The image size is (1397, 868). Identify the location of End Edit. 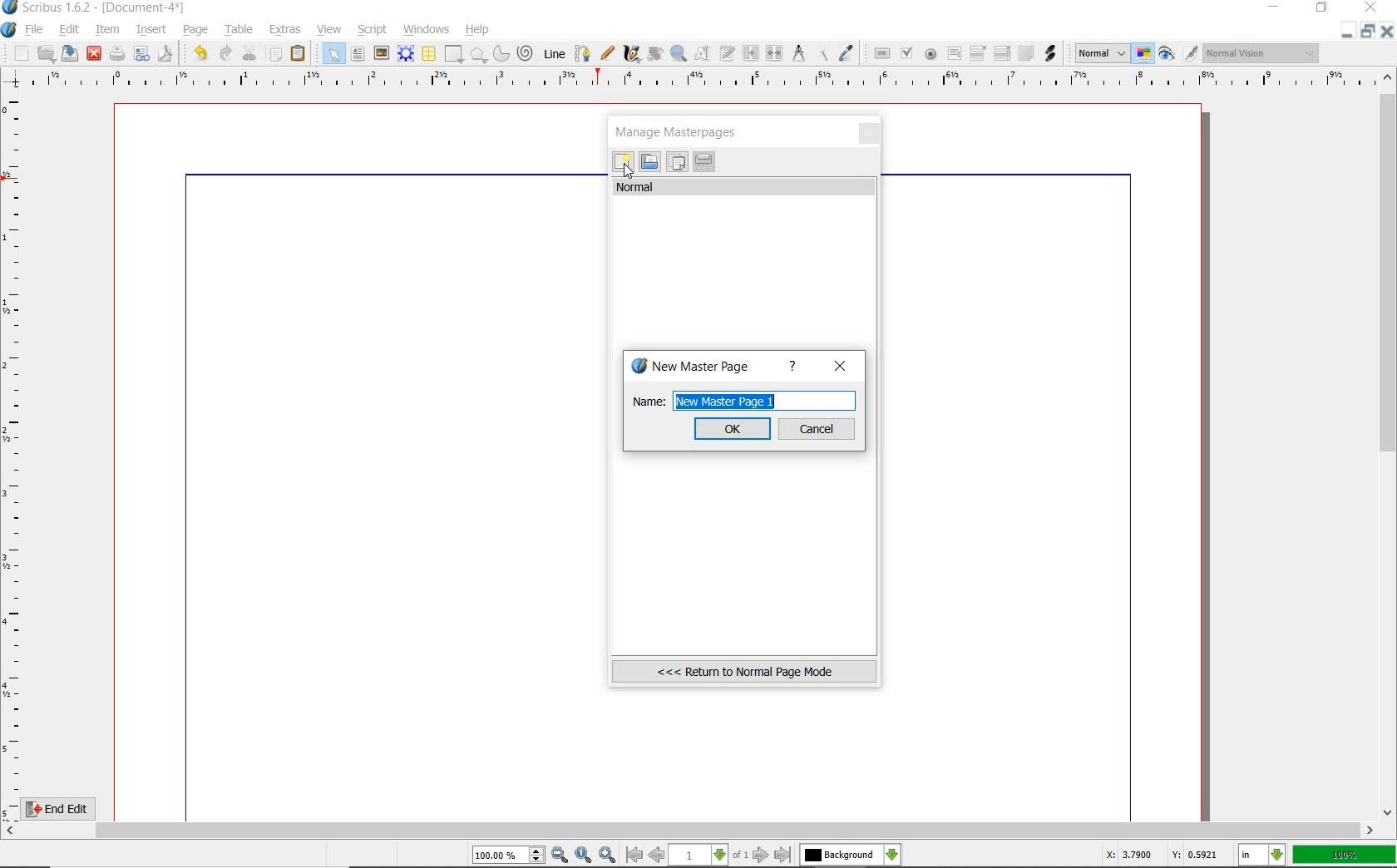
(71, 808).